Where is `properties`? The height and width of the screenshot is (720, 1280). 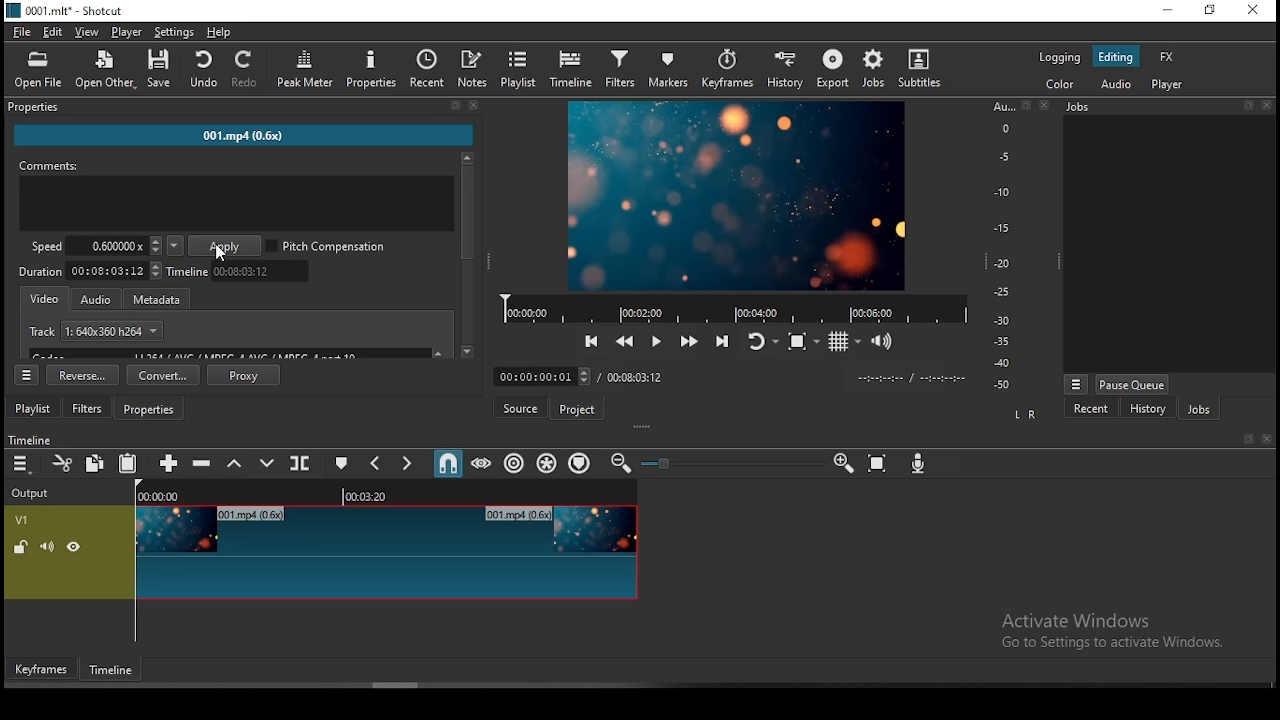
properties is located at coordinates (149, 408).